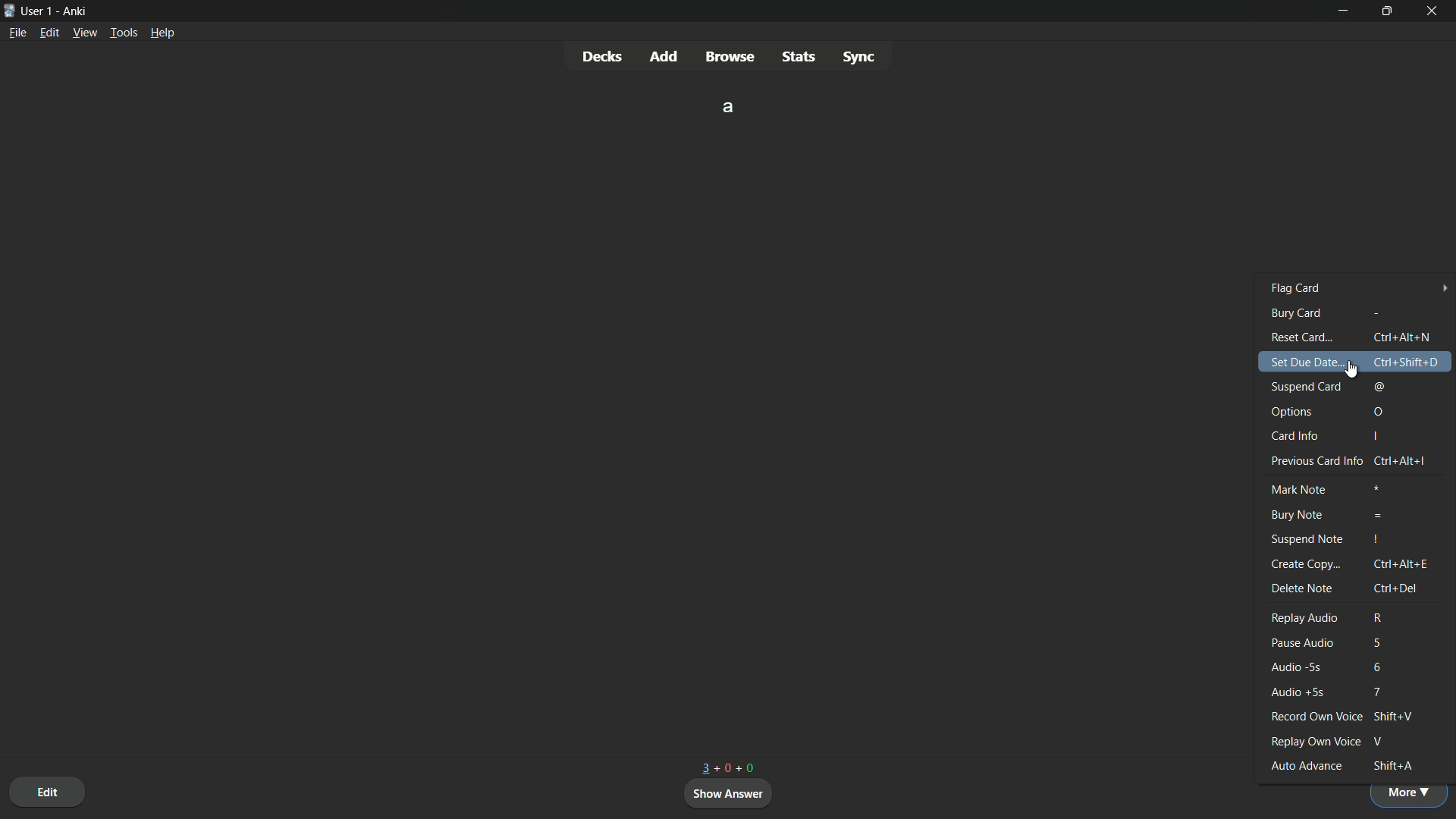 This screenshot has height=819, width=1456. I want to click on close app, so click(1435, 11).